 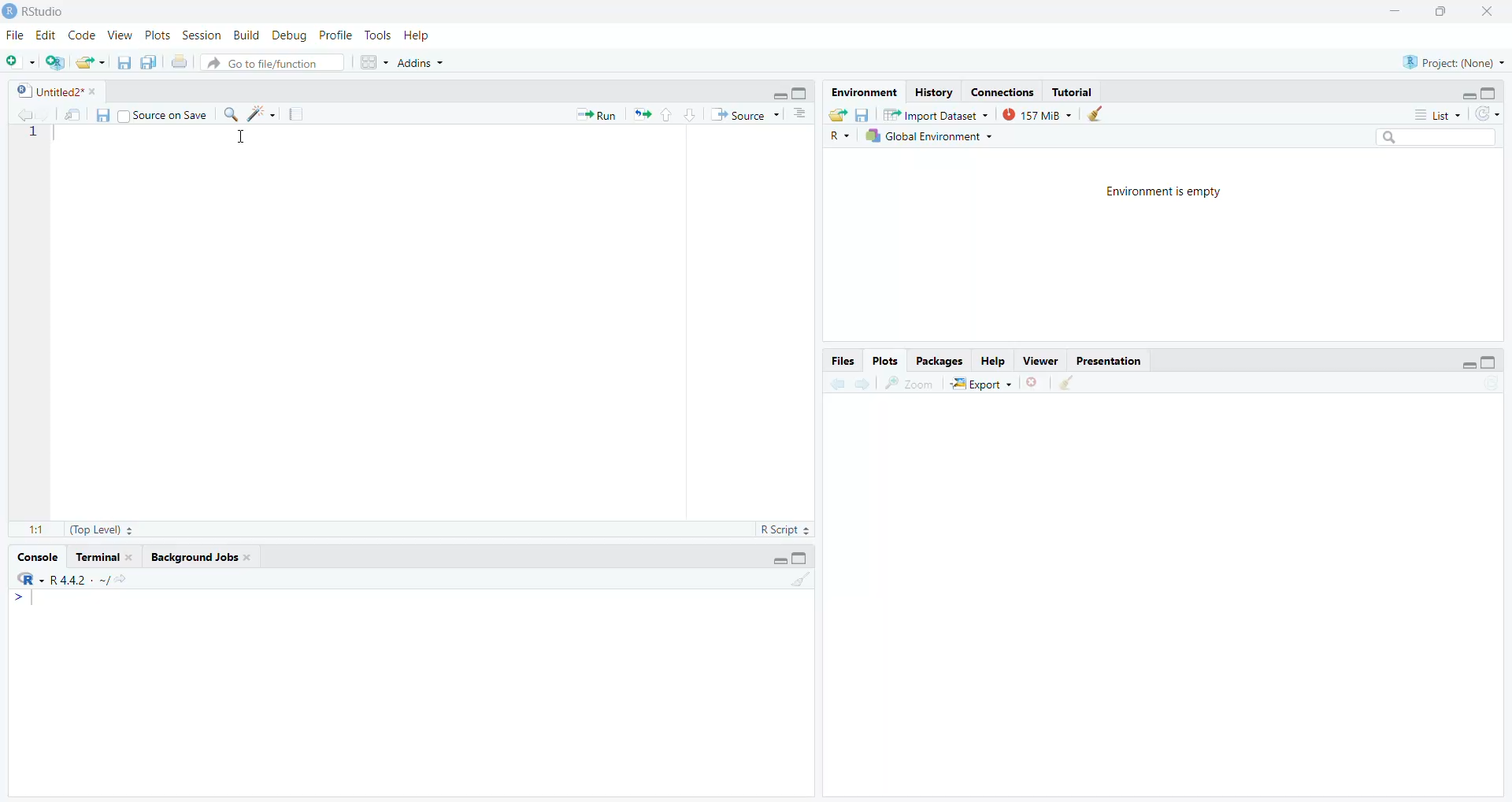 I want to click on refresh the list of objects in the environment, so click(x=1489, y=114).